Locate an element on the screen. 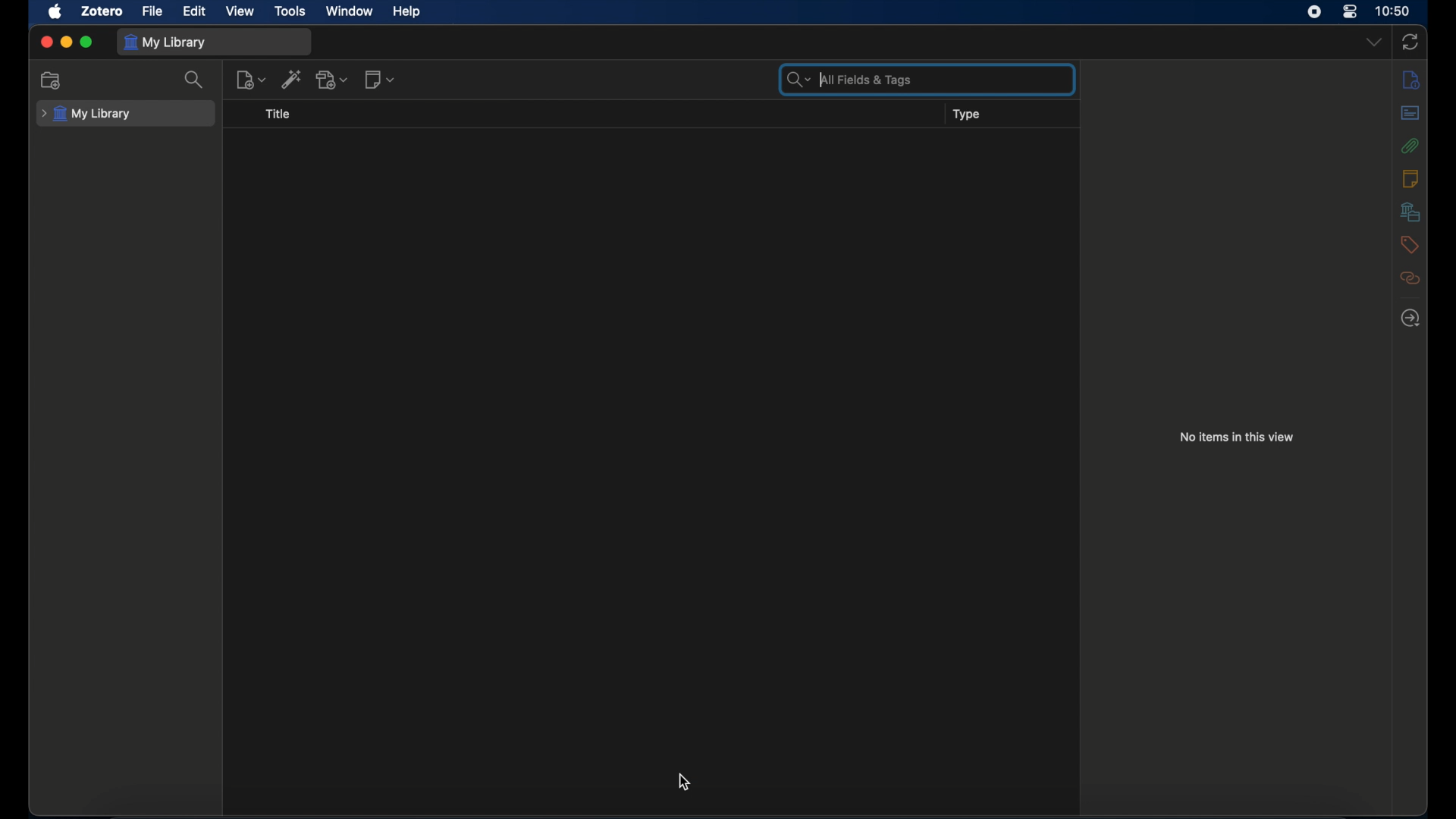 This screenshot has height=819, width=1456. tags is located at coordinates (1409, 245).